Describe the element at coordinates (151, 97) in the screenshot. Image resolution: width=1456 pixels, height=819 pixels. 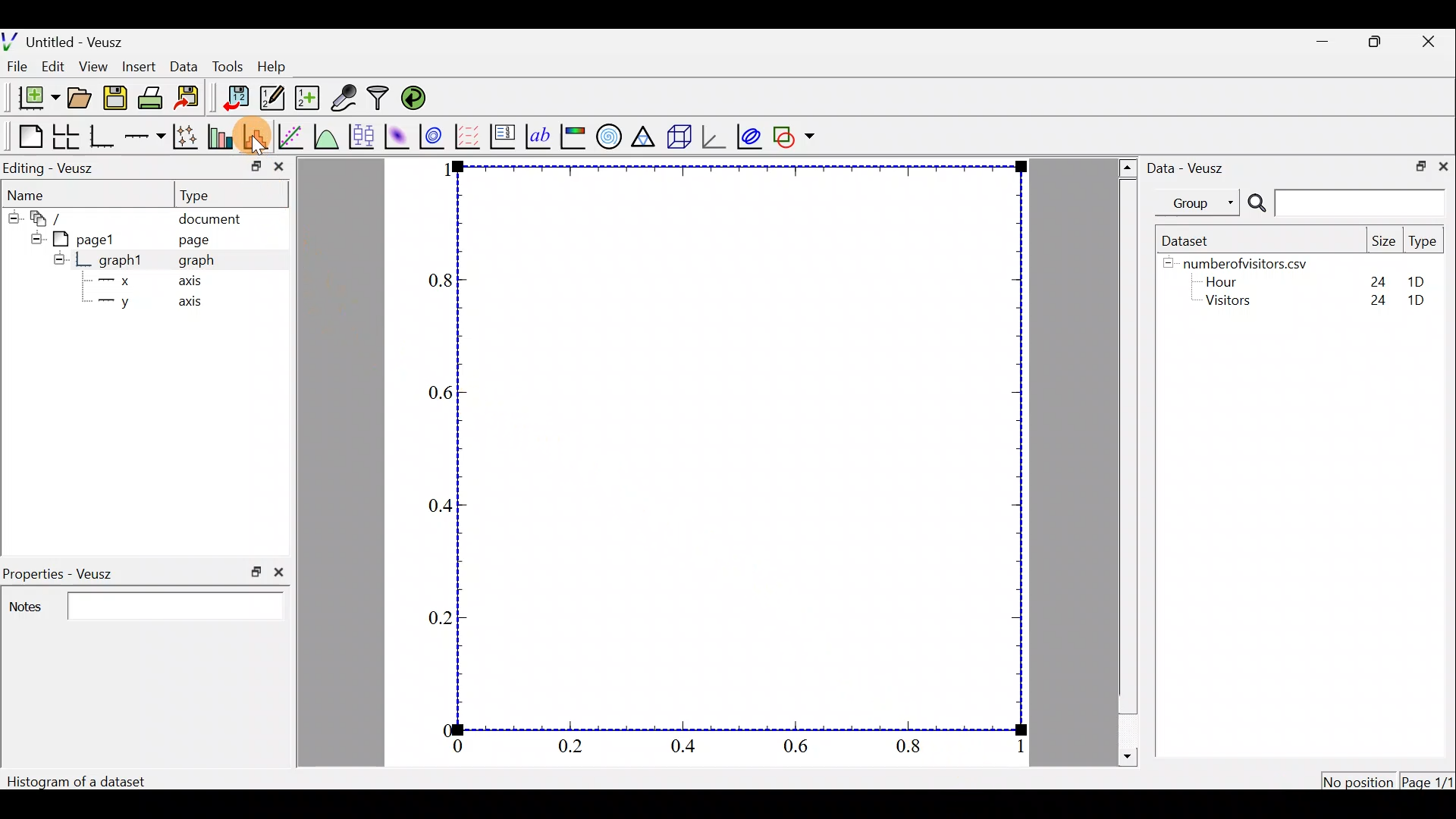
I see `print the document` at that location.